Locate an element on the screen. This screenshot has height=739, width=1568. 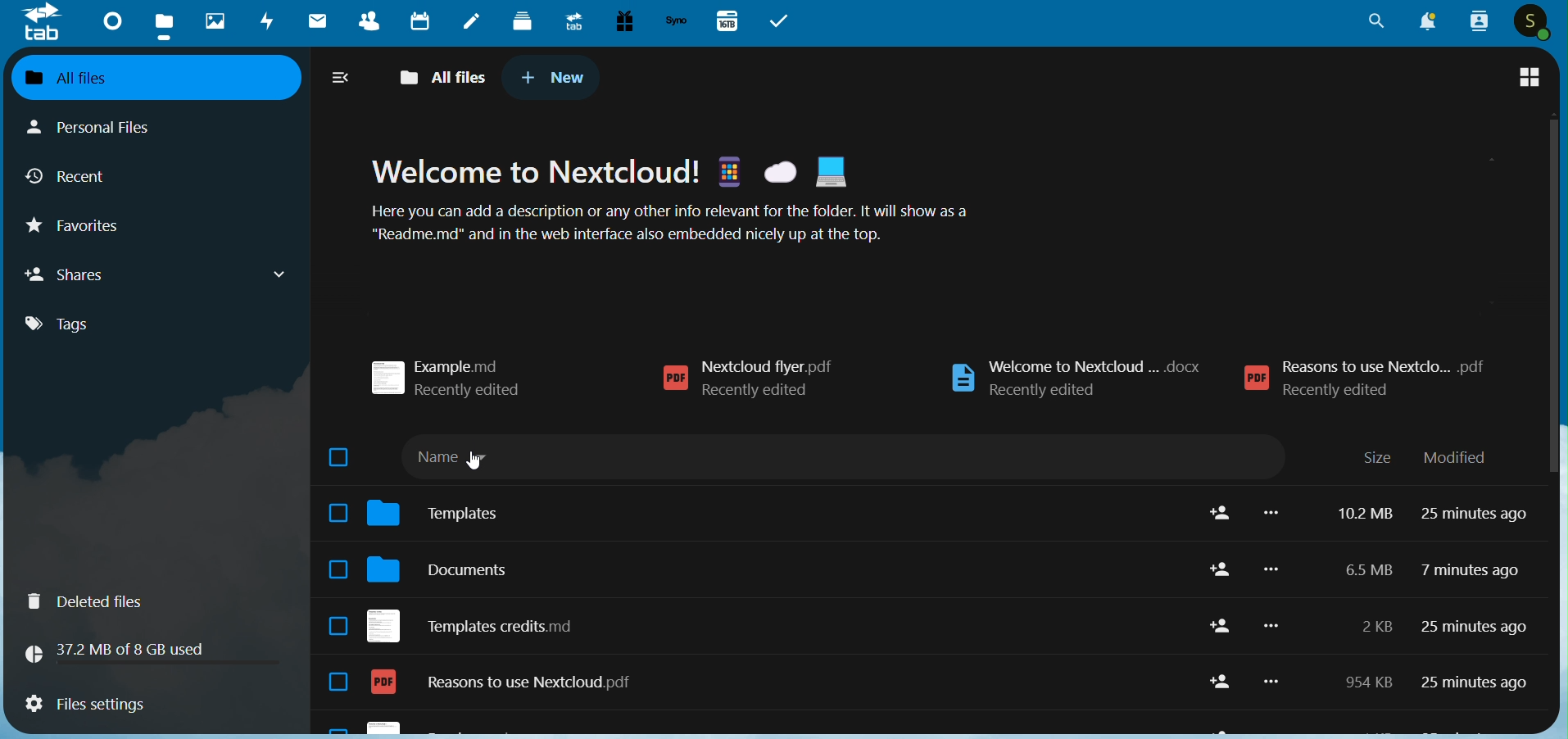
10.2 MB 6.5 MB 2 kb 954 kb is located at coordinates (1363, 601).